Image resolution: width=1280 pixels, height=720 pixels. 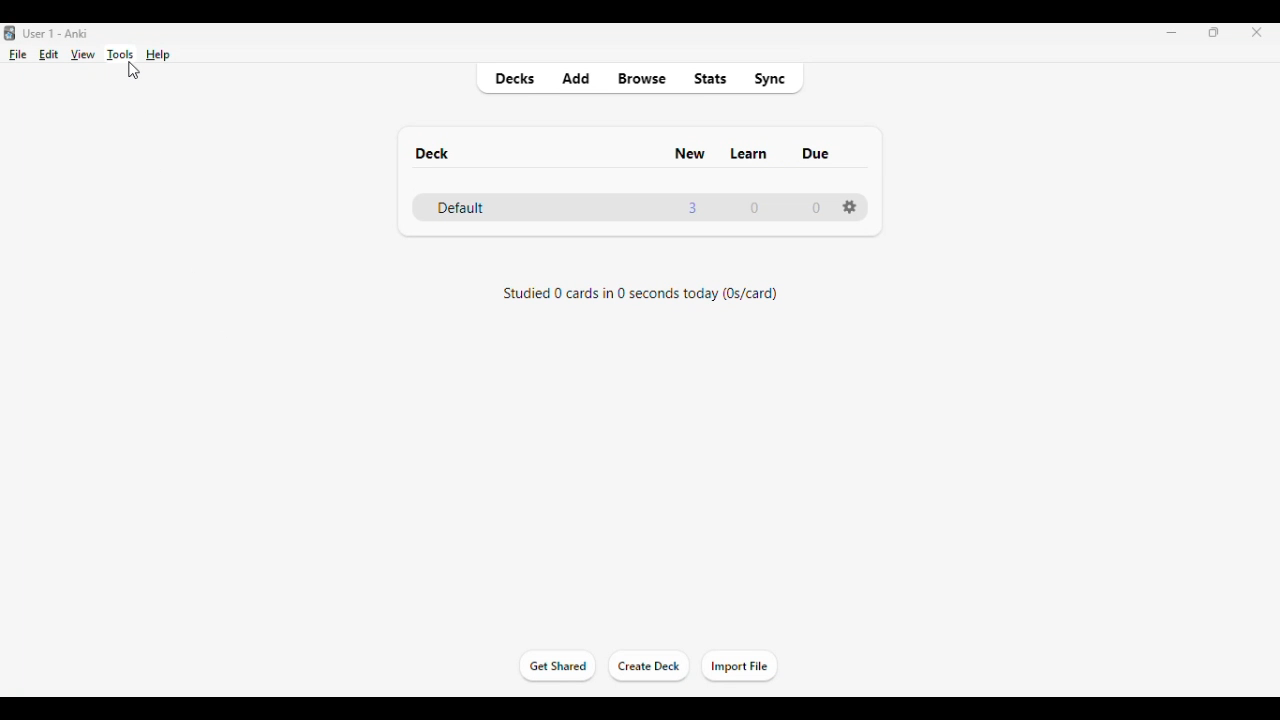 What do you see at coordinates (10, 33) in the screenshot?
I see `logo` at bounding box center [10, 33].